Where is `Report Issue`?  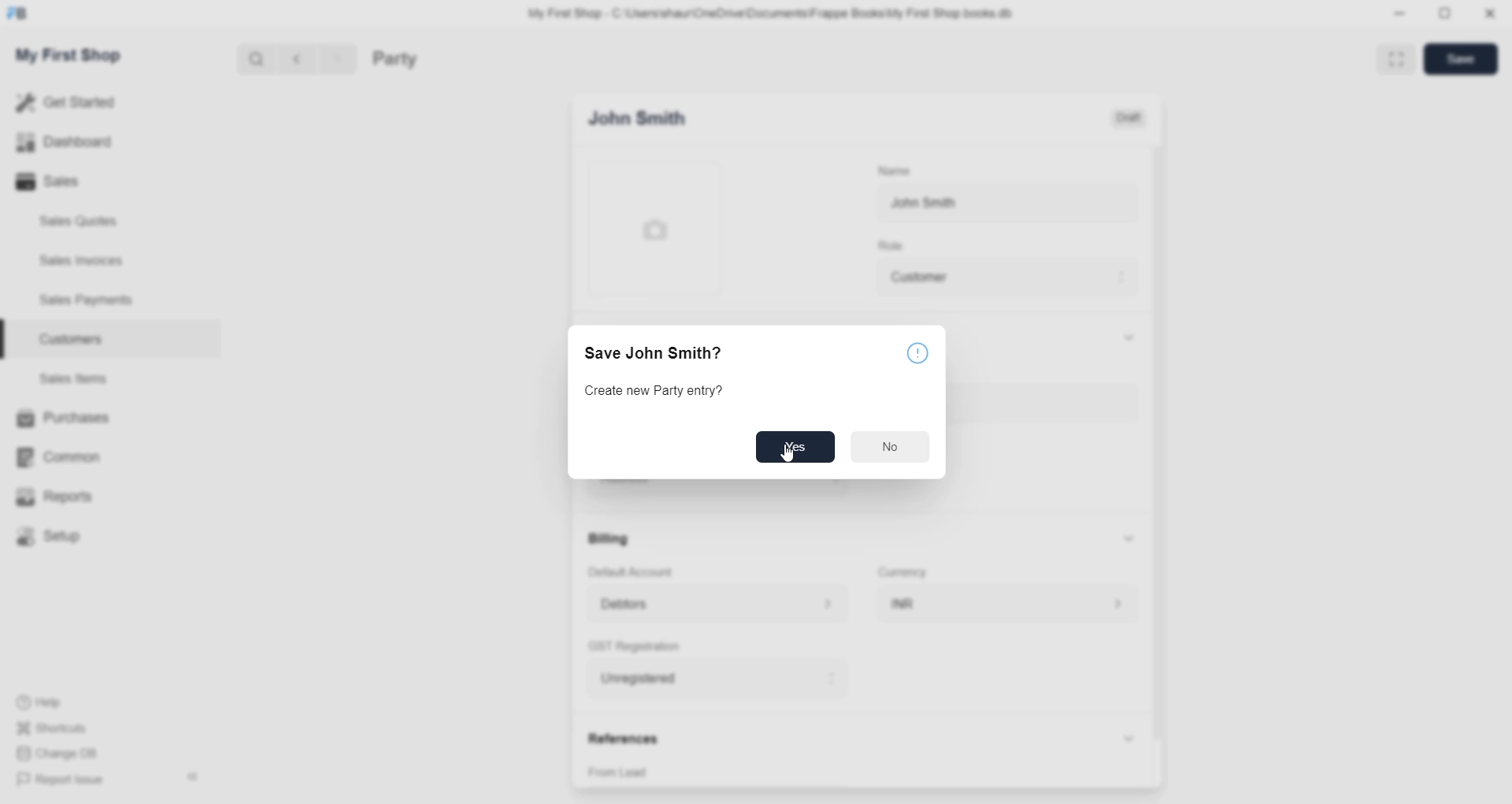
Report Issue is located at coordinates (61, 779).